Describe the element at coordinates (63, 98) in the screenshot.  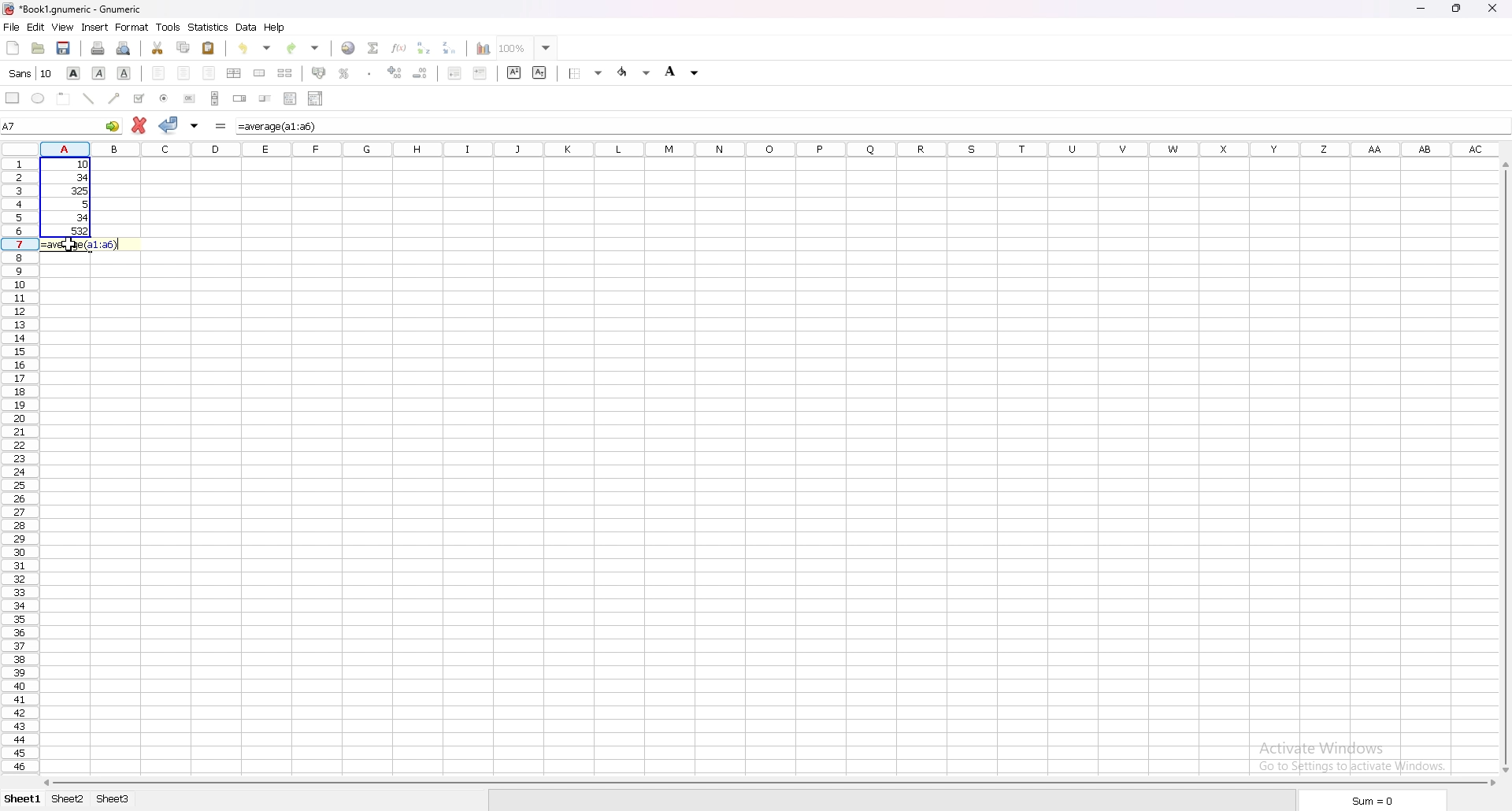
I see `frame` at that location.